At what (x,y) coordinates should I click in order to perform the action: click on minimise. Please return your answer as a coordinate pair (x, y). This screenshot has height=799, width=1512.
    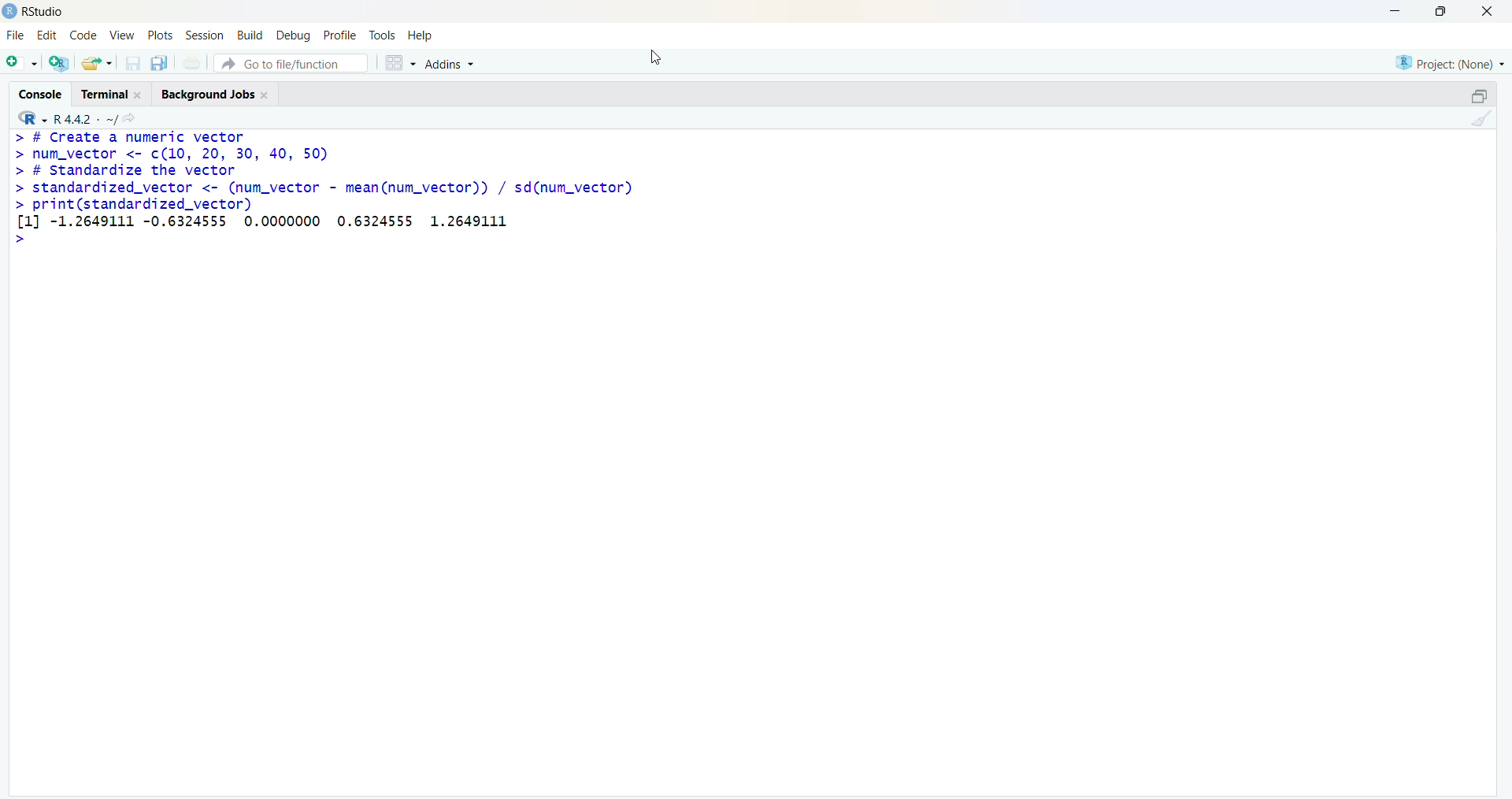
    Looking at the image, I should click on (1397, 11).